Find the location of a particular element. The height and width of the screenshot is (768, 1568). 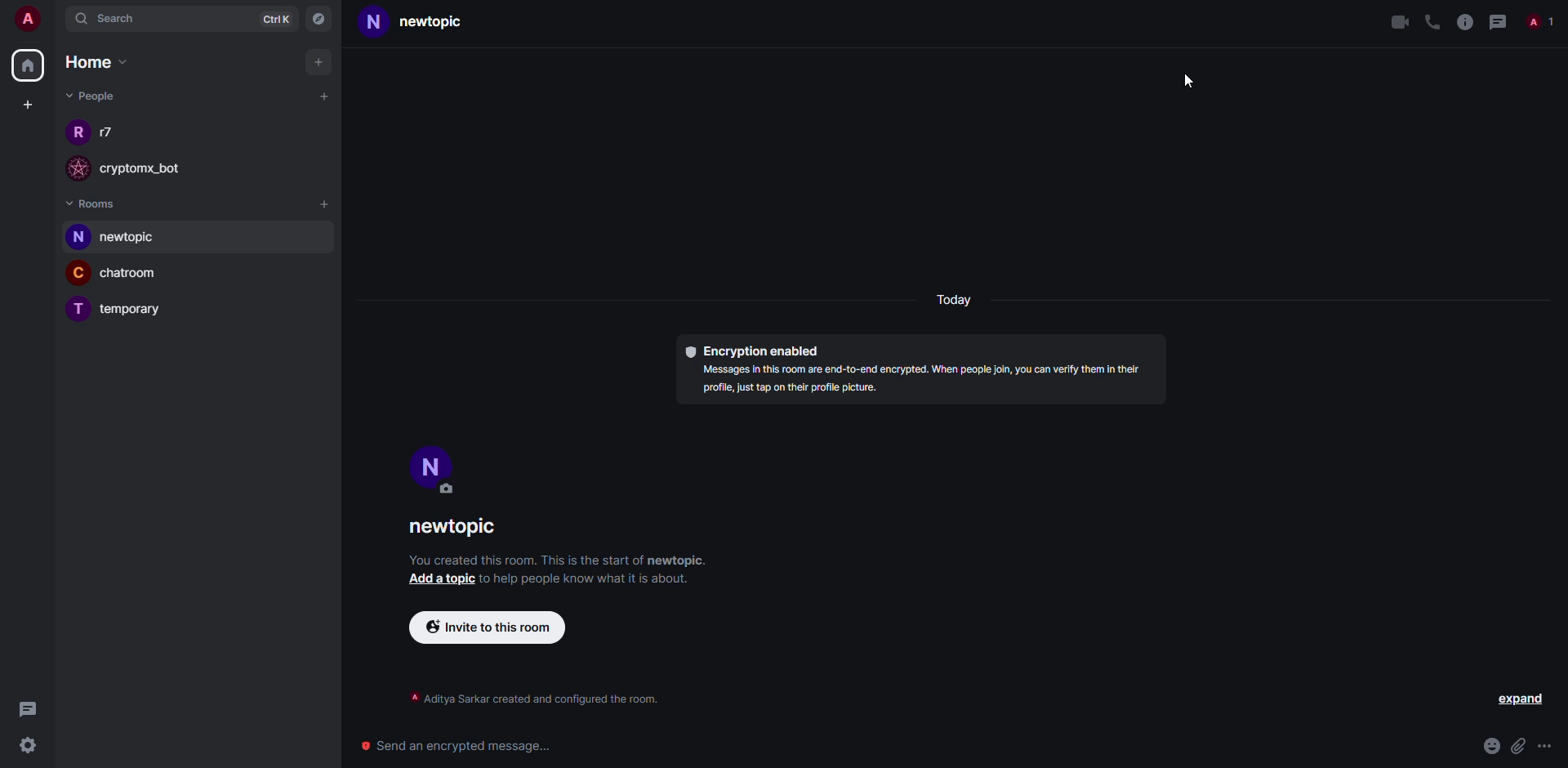

bot is located at coordinates (156, 170).